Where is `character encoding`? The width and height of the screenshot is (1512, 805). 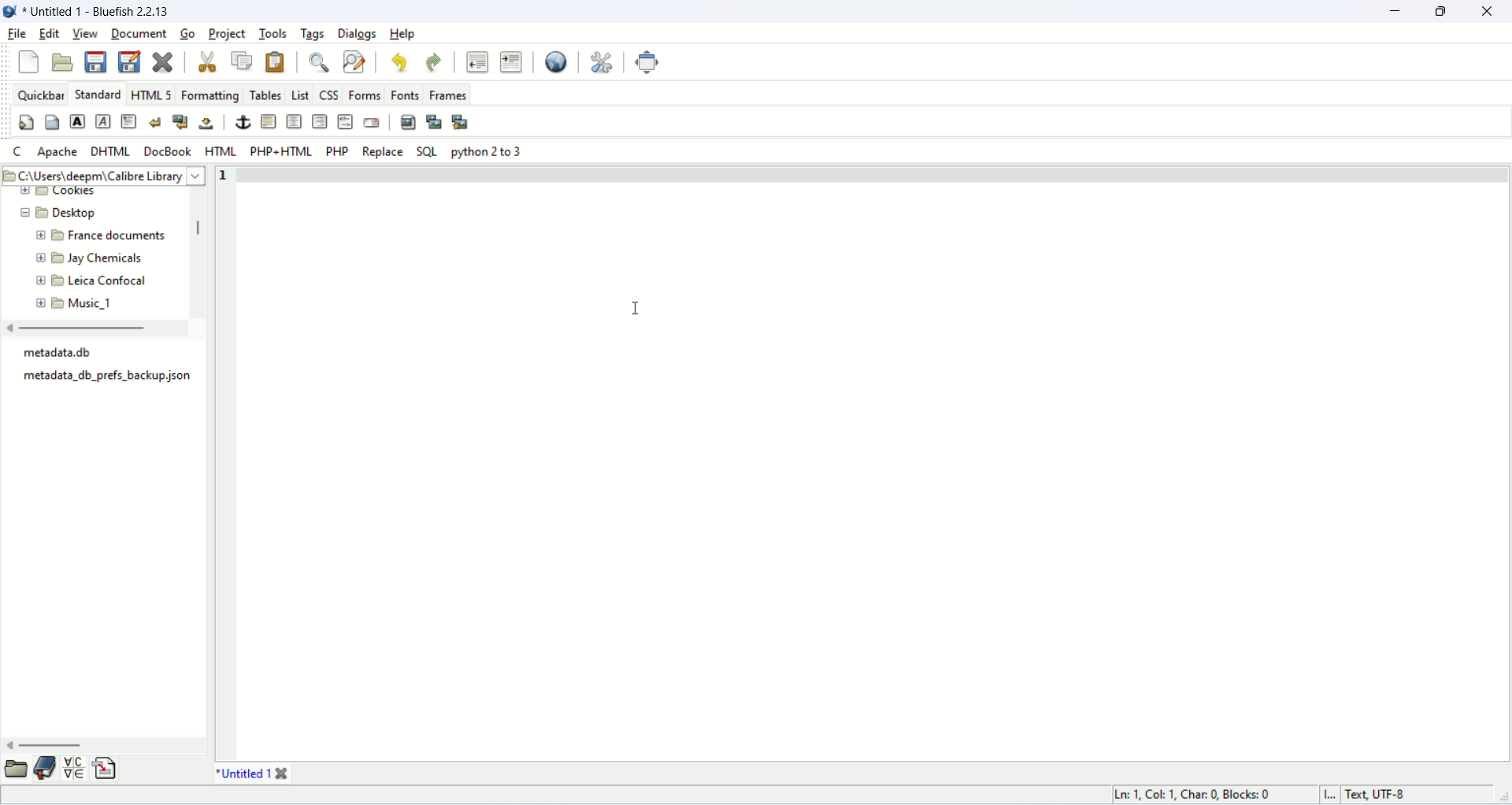 character encoding is located at coordinates (1377, 796).